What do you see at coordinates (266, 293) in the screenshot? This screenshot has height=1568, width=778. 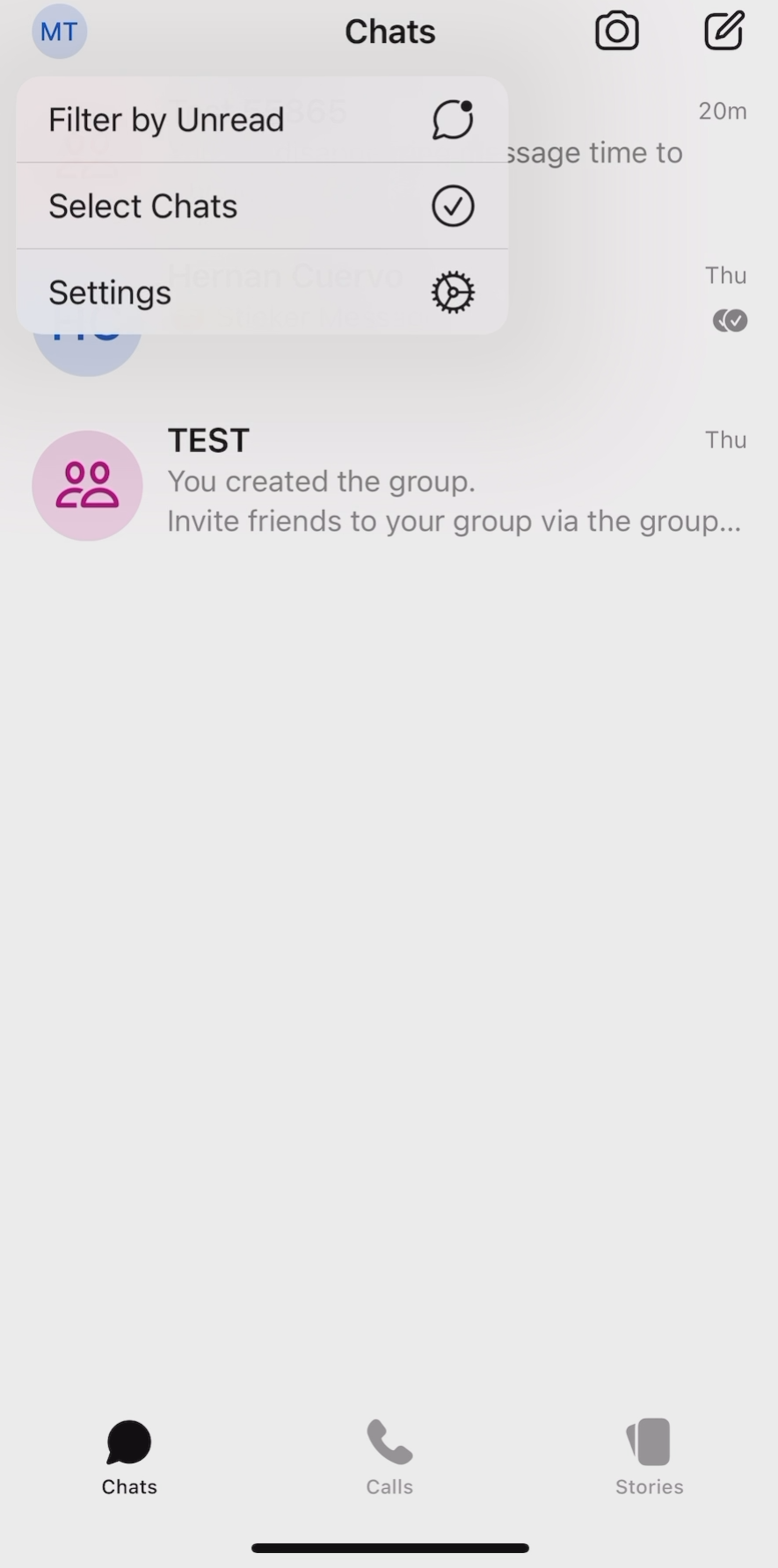 I see `settings` at bounding box center [266, 293].